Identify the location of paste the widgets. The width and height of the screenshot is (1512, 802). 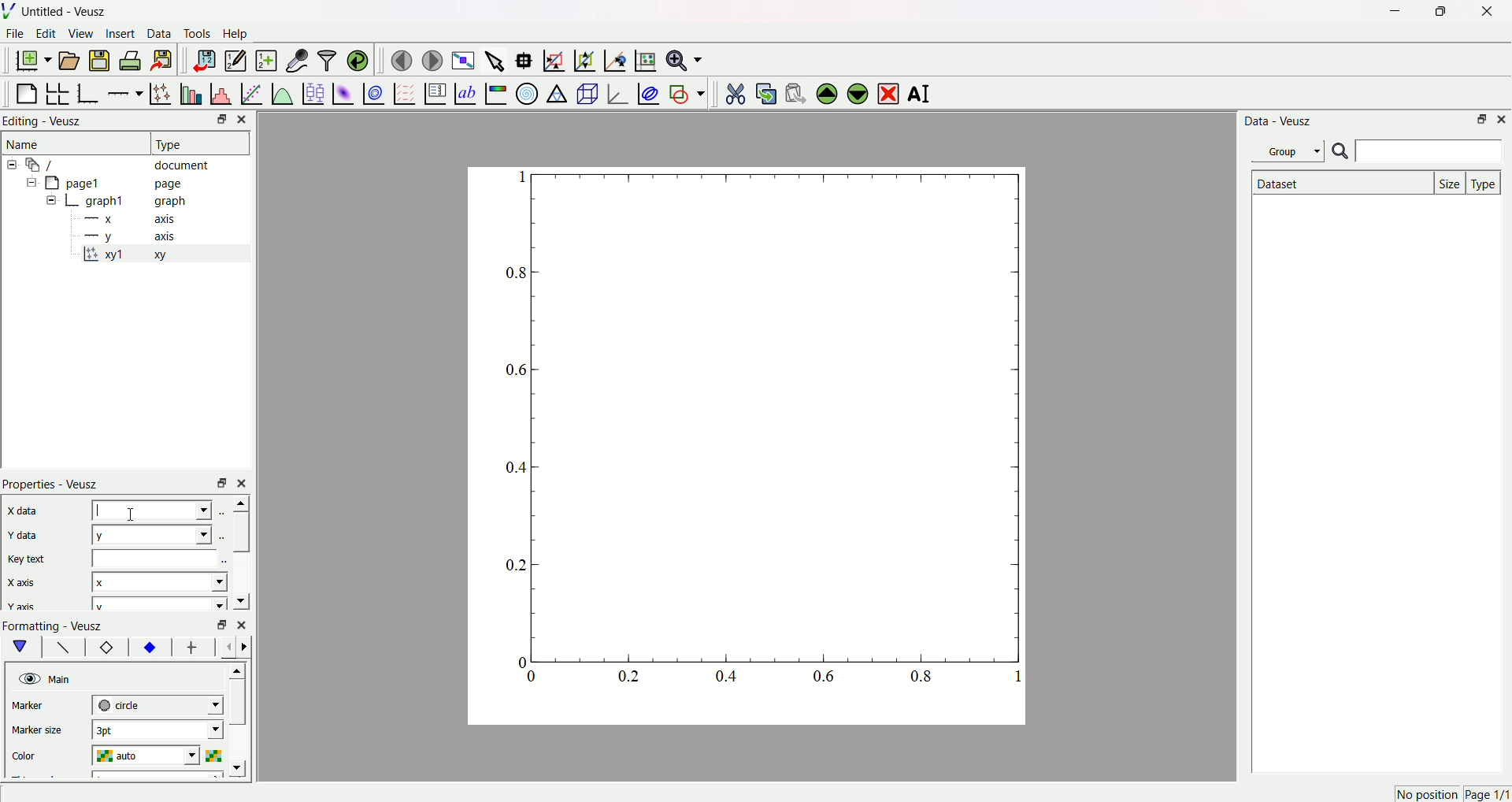
(796, 91).